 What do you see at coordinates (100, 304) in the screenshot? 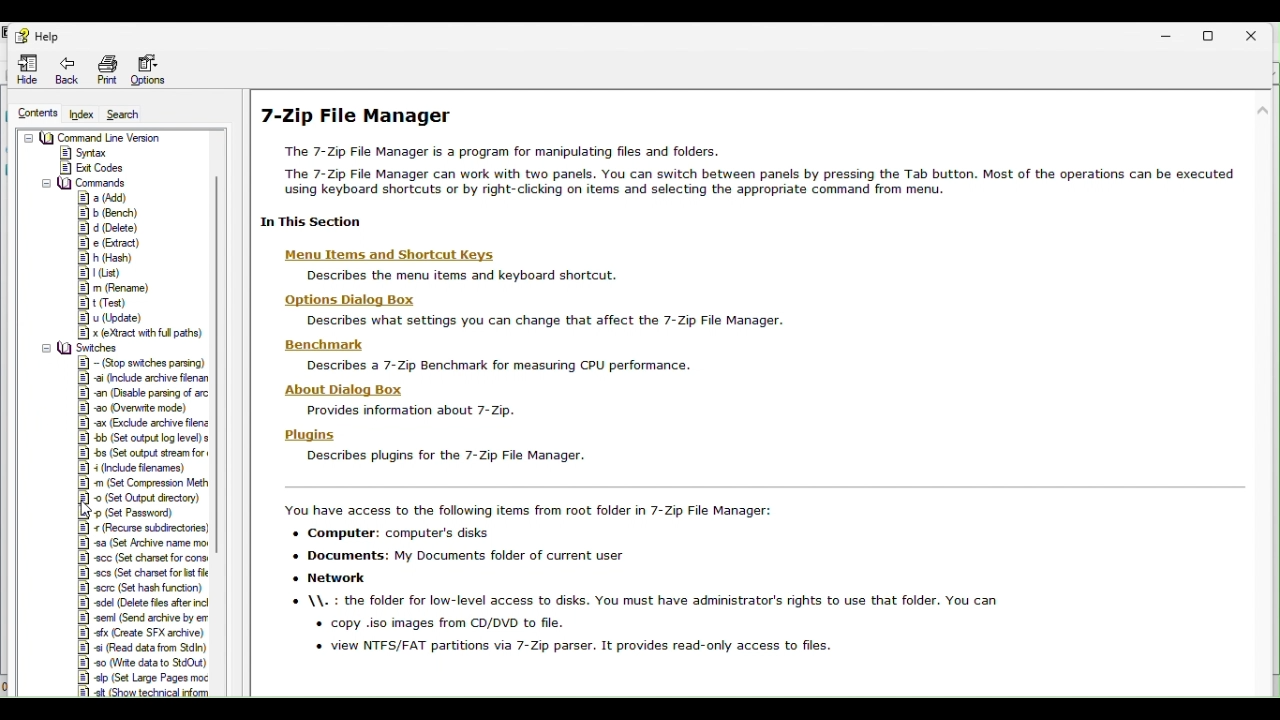
I see `Test` at bounding box center [100, 304].